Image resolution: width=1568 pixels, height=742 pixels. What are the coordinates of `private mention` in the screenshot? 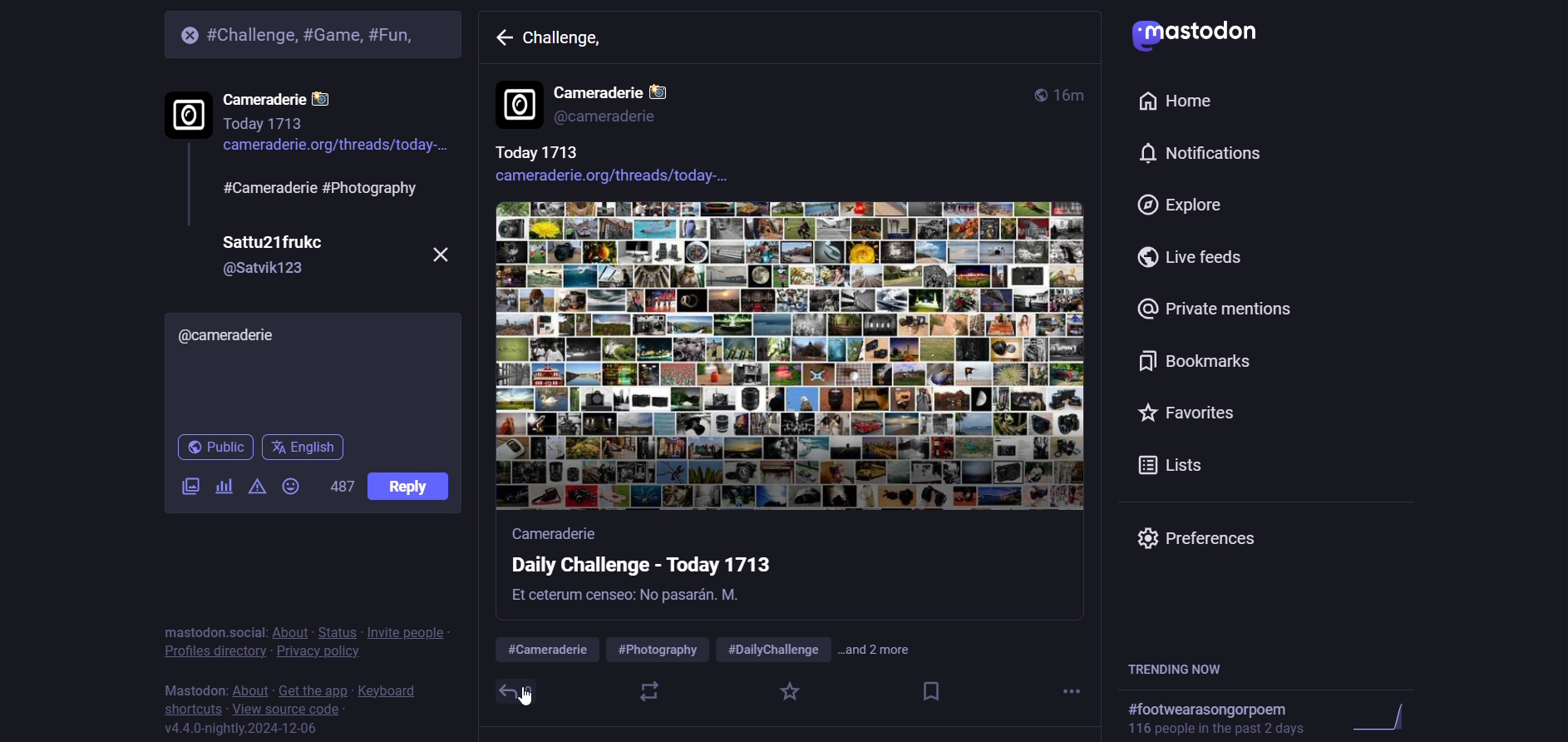 It's located at (1215, 309).